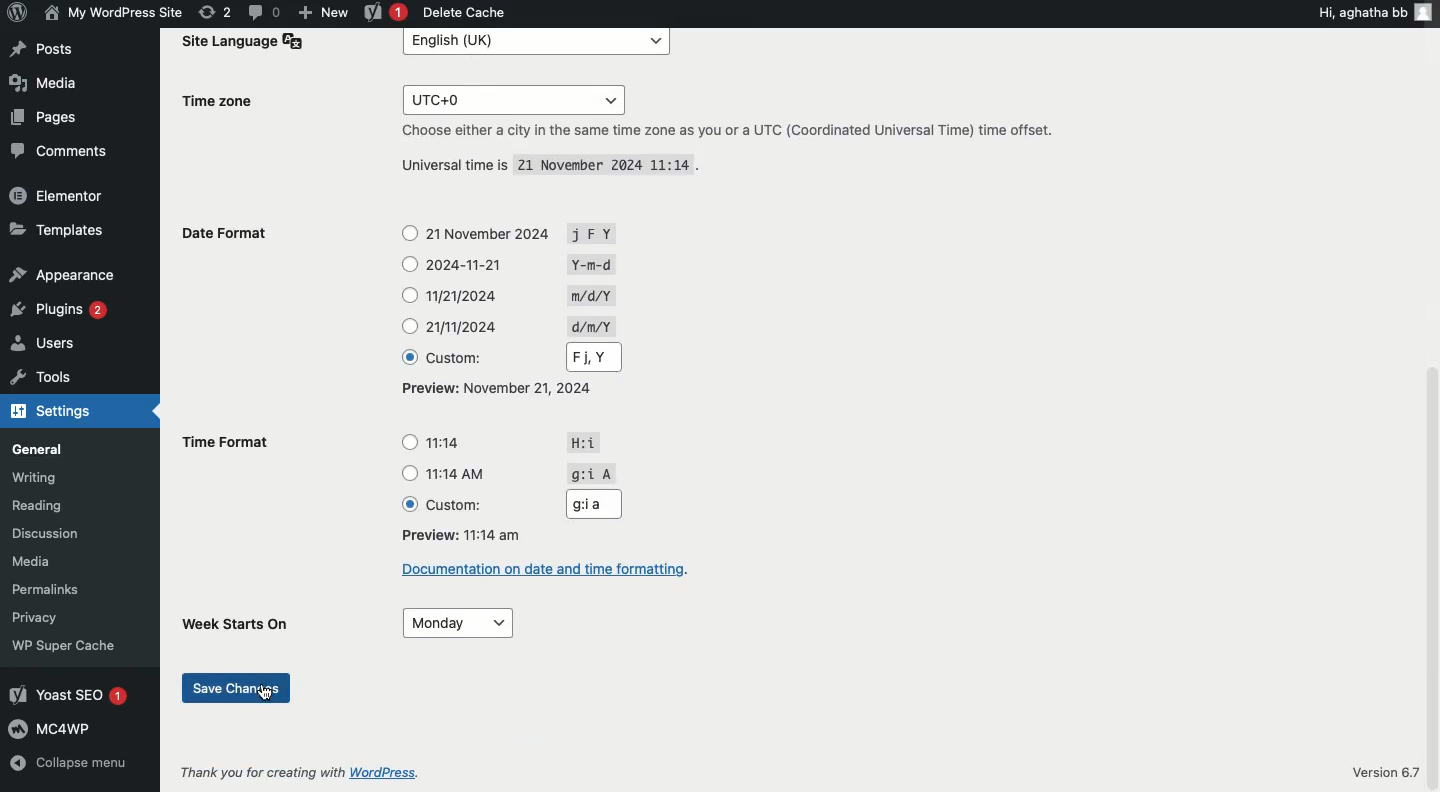 Image resolution: width=1440 pixels, height=792 pixels. What do you see at coordinates (237, 687) in the screenshot?
I see `Save changes` at bounding box center [237, 687].